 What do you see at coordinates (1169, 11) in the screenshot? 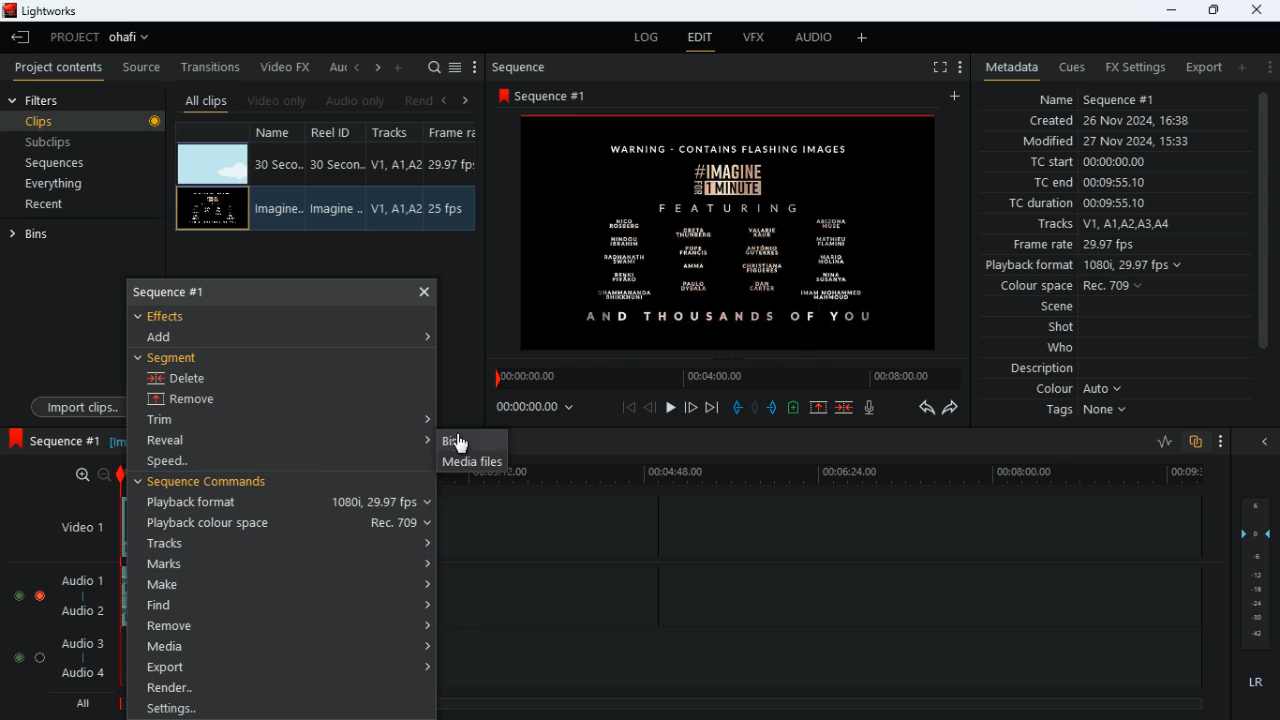
I see `minimize` at bounding box center [1169, 11].